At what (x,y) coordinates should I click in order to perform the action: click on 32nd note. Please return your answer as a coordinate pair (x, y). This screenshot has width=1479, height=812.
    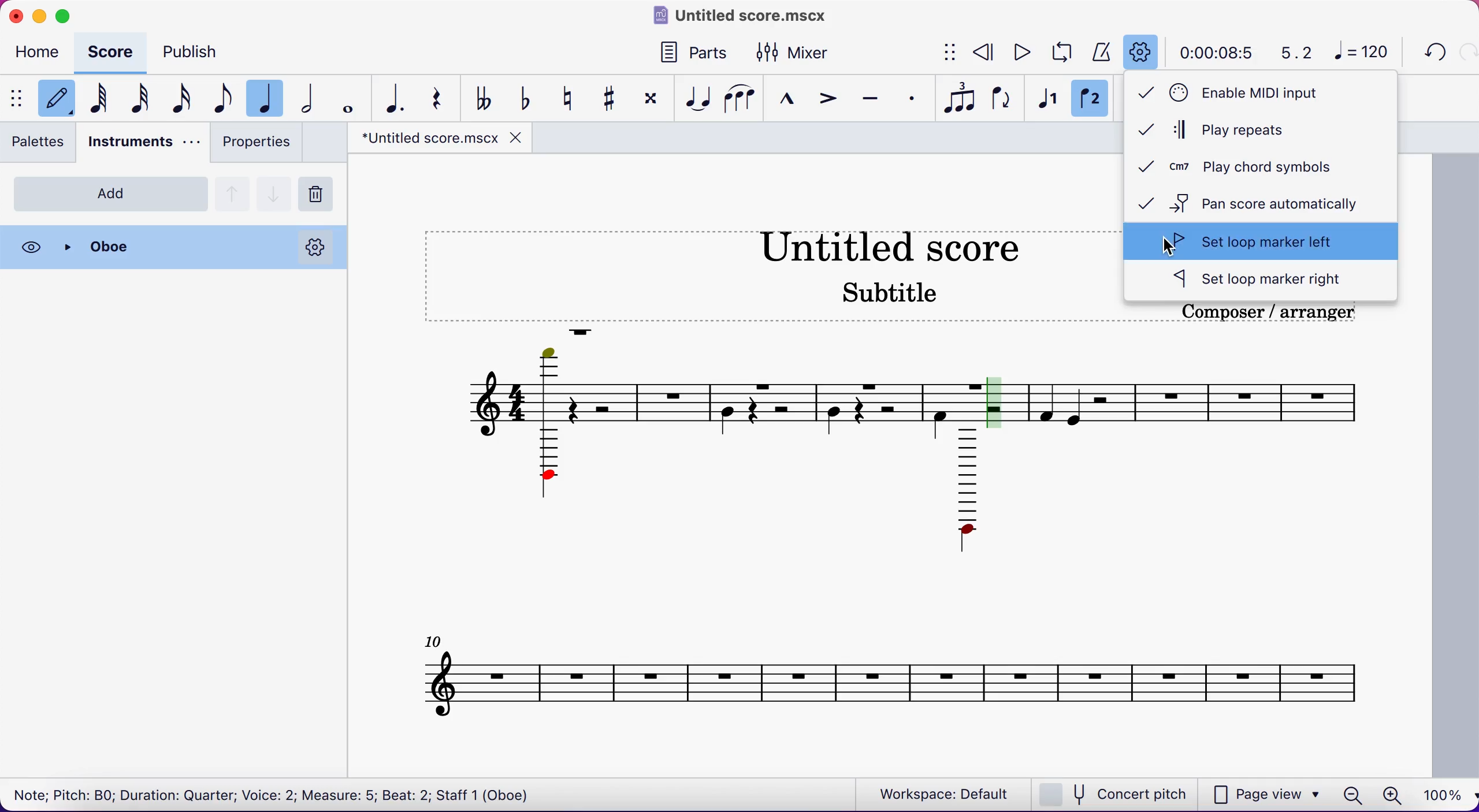
    Looking at the image, I should click on (140, 100).